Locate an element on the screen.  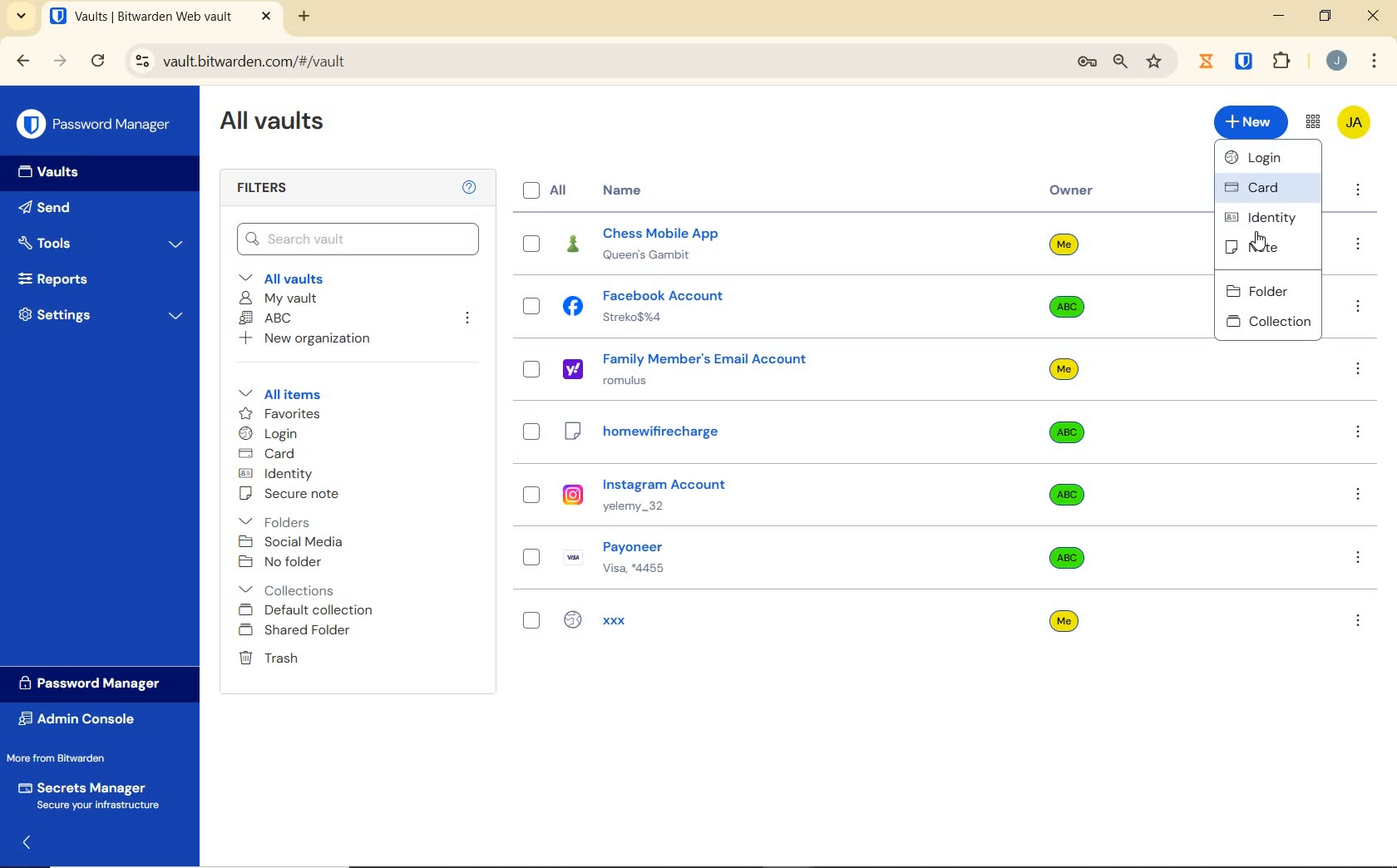
folders is located at coordinates (277, 522).